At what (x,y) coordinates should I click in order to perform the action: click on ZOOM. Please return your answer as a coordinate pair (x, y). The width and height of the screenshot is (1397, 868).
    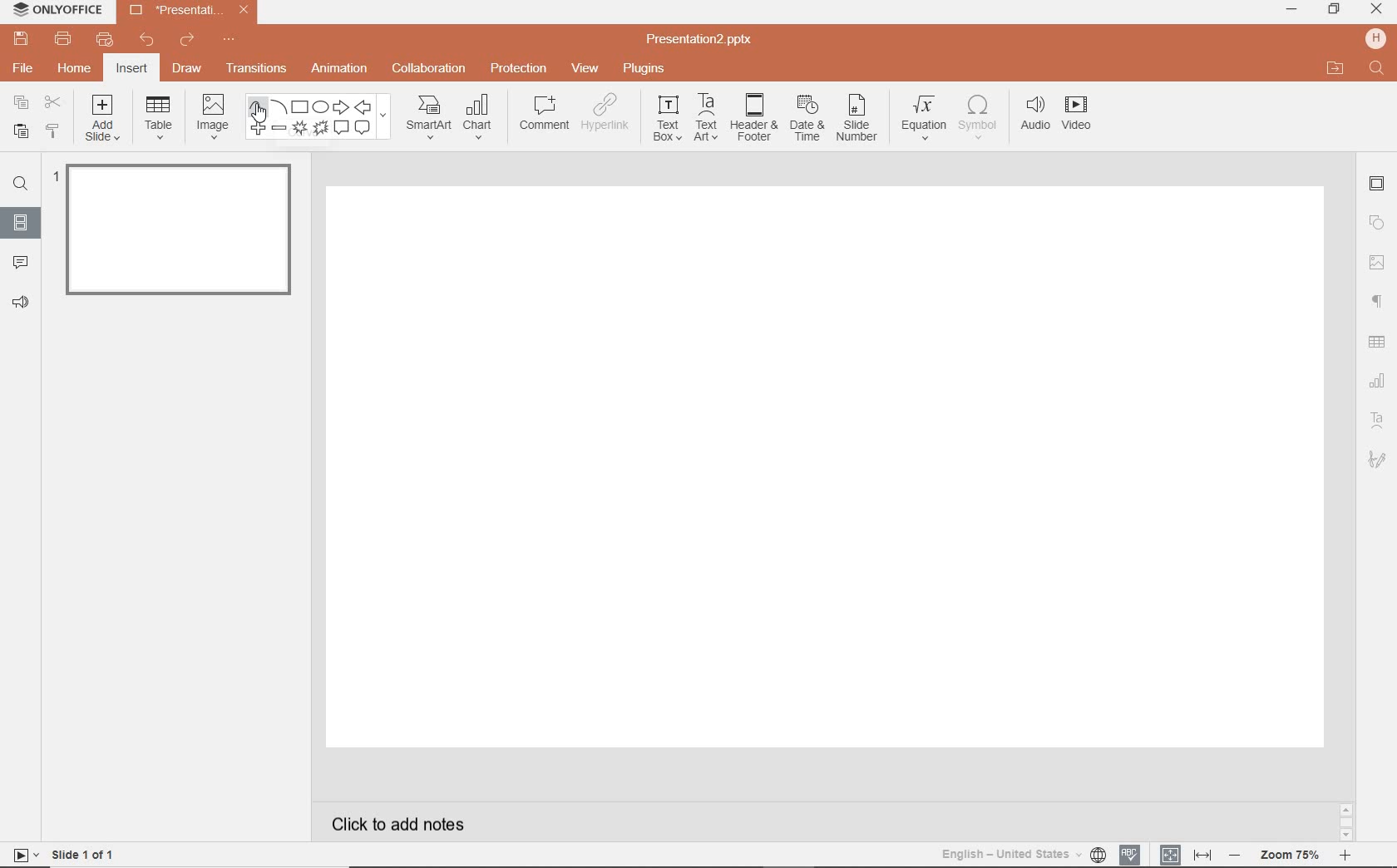
    Looking at the image, I should click on (1298, 855).